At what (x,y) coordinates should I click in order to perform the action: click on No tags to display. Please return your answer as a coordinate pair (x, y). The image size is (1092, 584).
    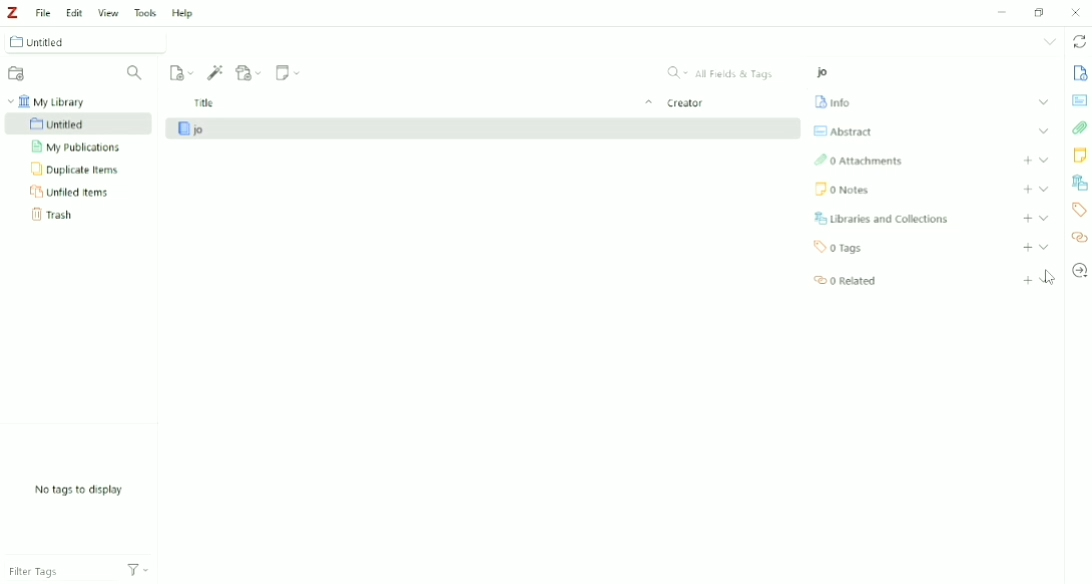
    Looking at the image, I should click on (79, 492).